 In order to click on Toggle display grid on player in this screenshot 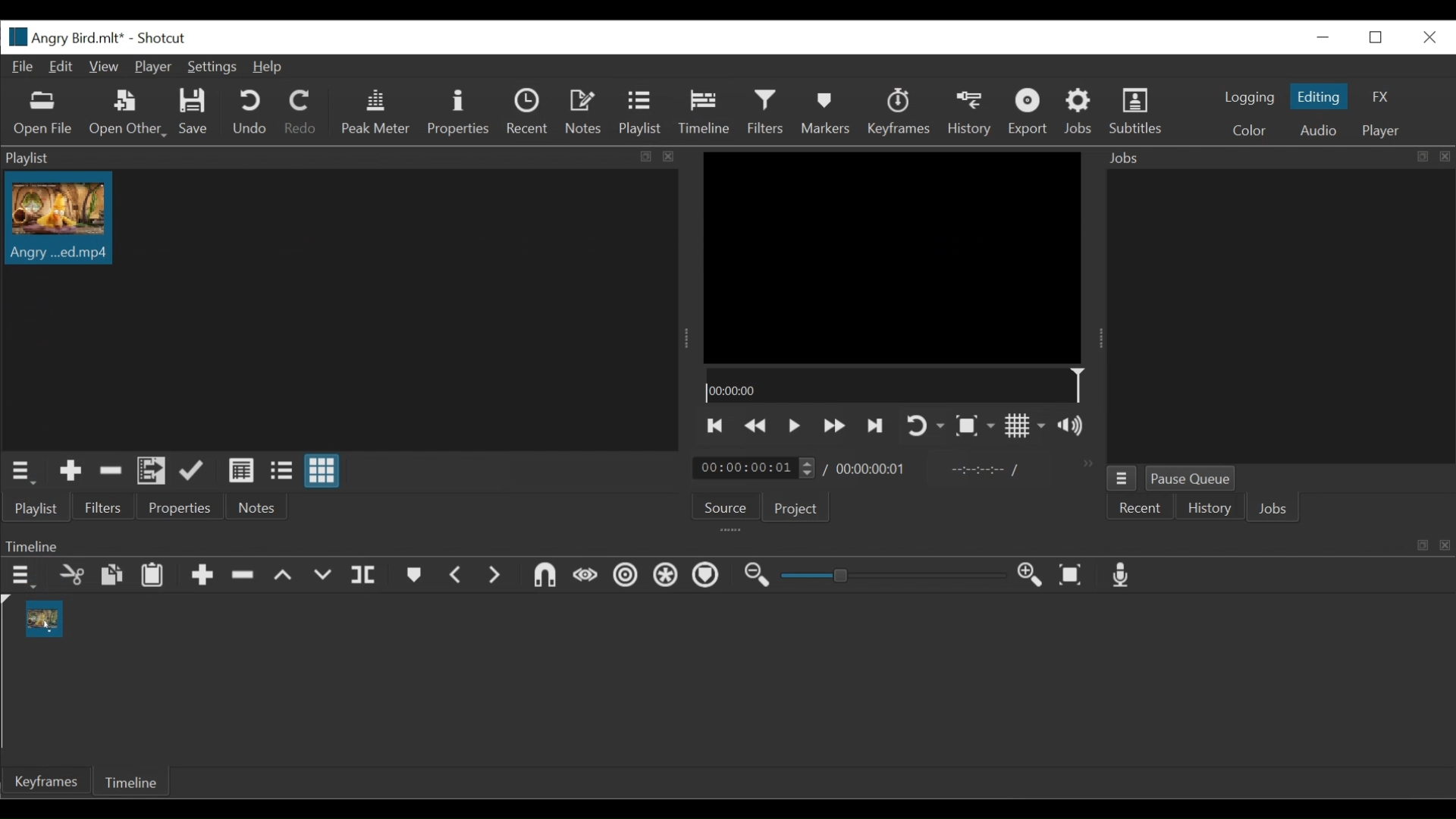, I will do `click(1026, 426)`.